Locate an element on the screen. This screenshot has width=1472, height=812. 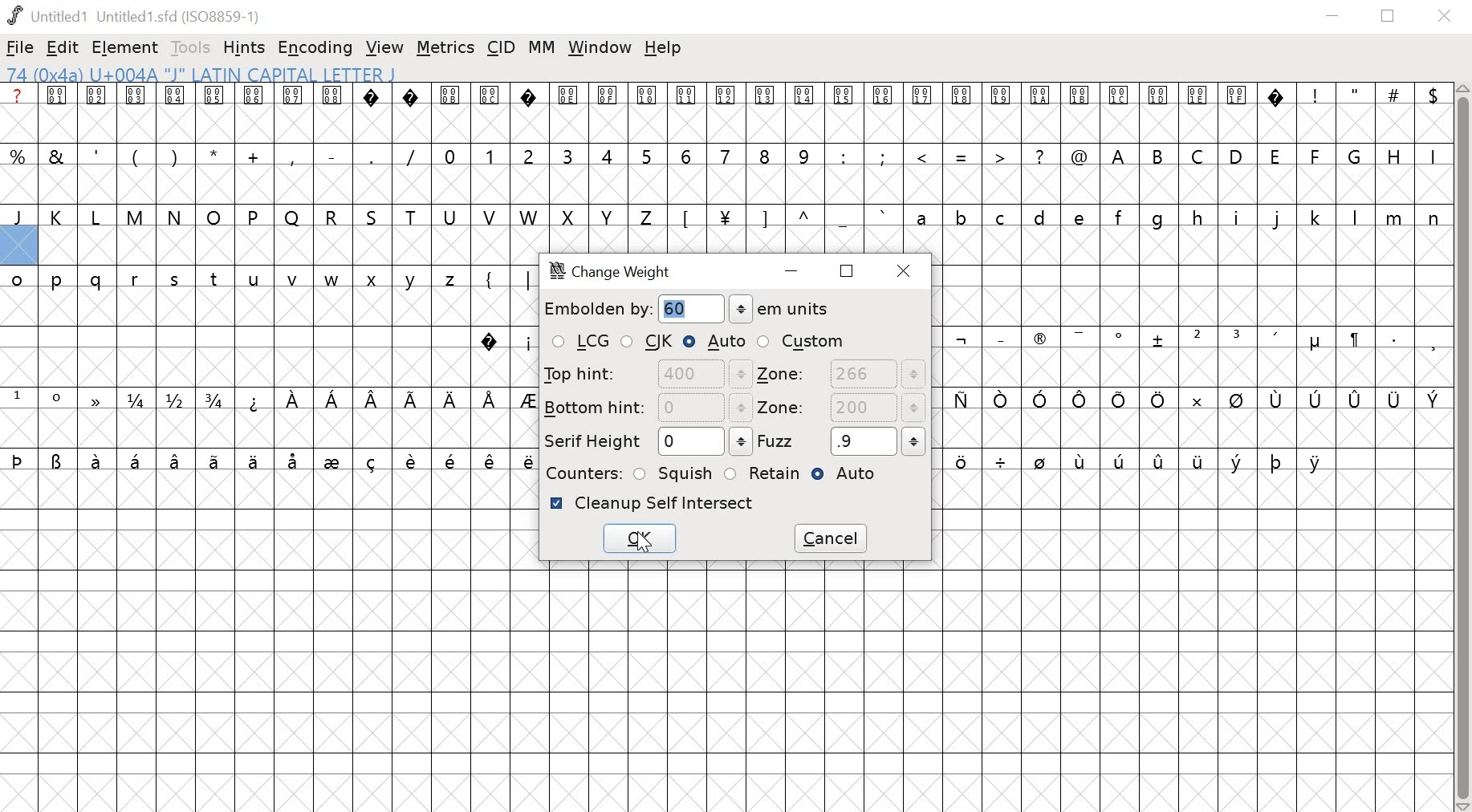
AUTO is located at coordinates (850, 476).